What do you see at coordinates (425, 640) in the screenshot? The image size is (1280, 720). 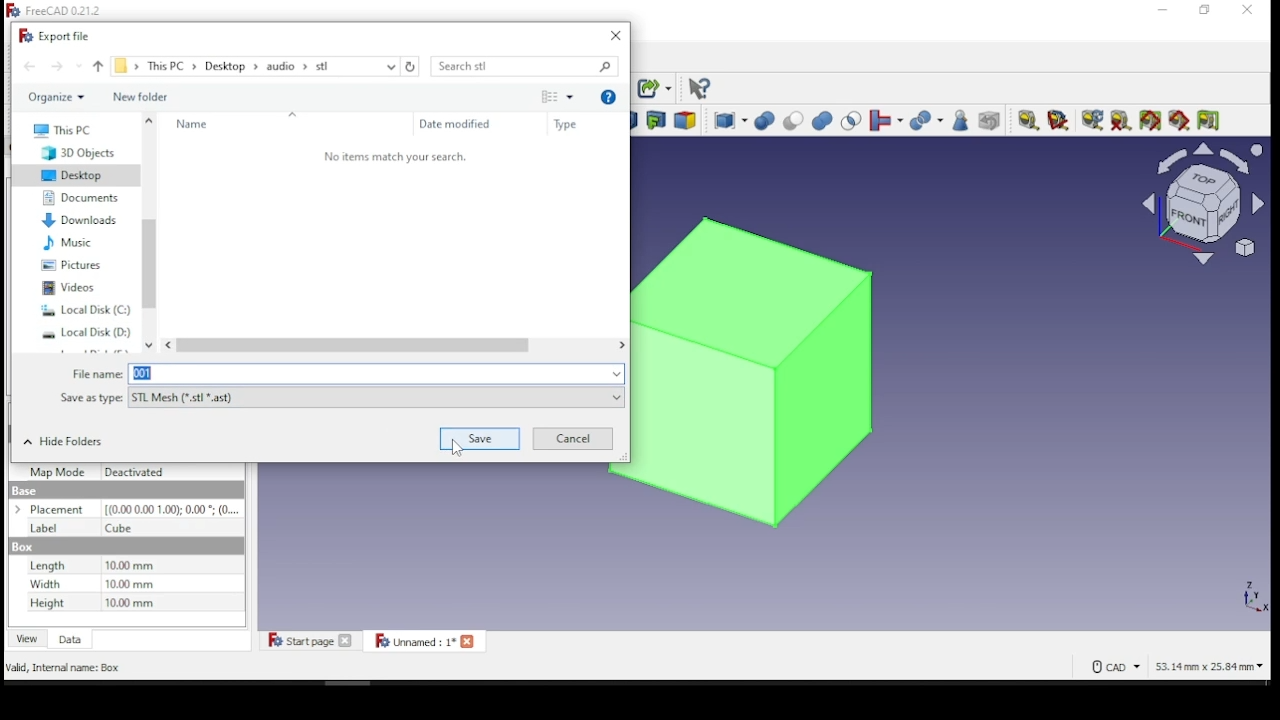 I see `unnamed: 1` at bounding box center [425, 640].